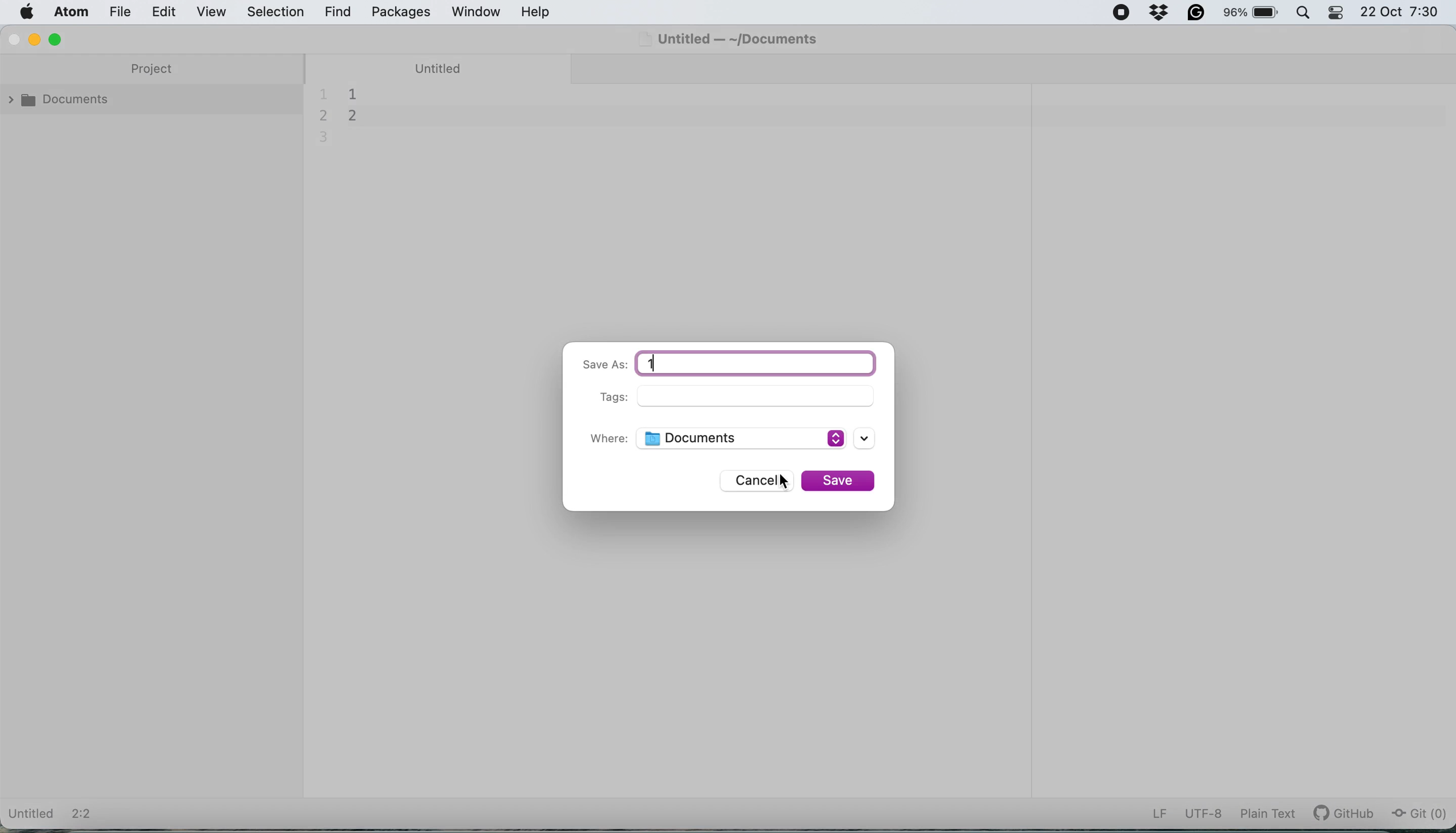  I want to click on 22 Oct 7:30, so click(1400, 12).